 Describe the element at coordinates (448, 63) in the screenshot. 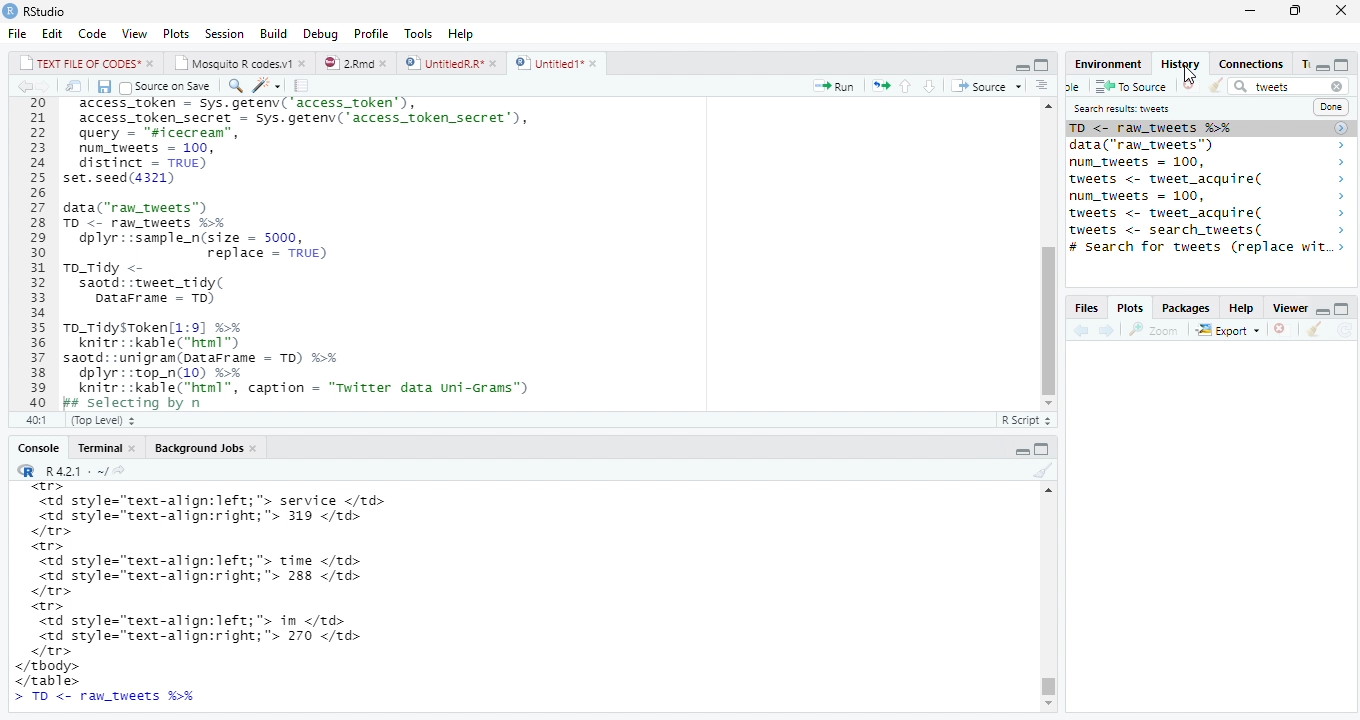

I see `D | UntitledR.R*` at that location.